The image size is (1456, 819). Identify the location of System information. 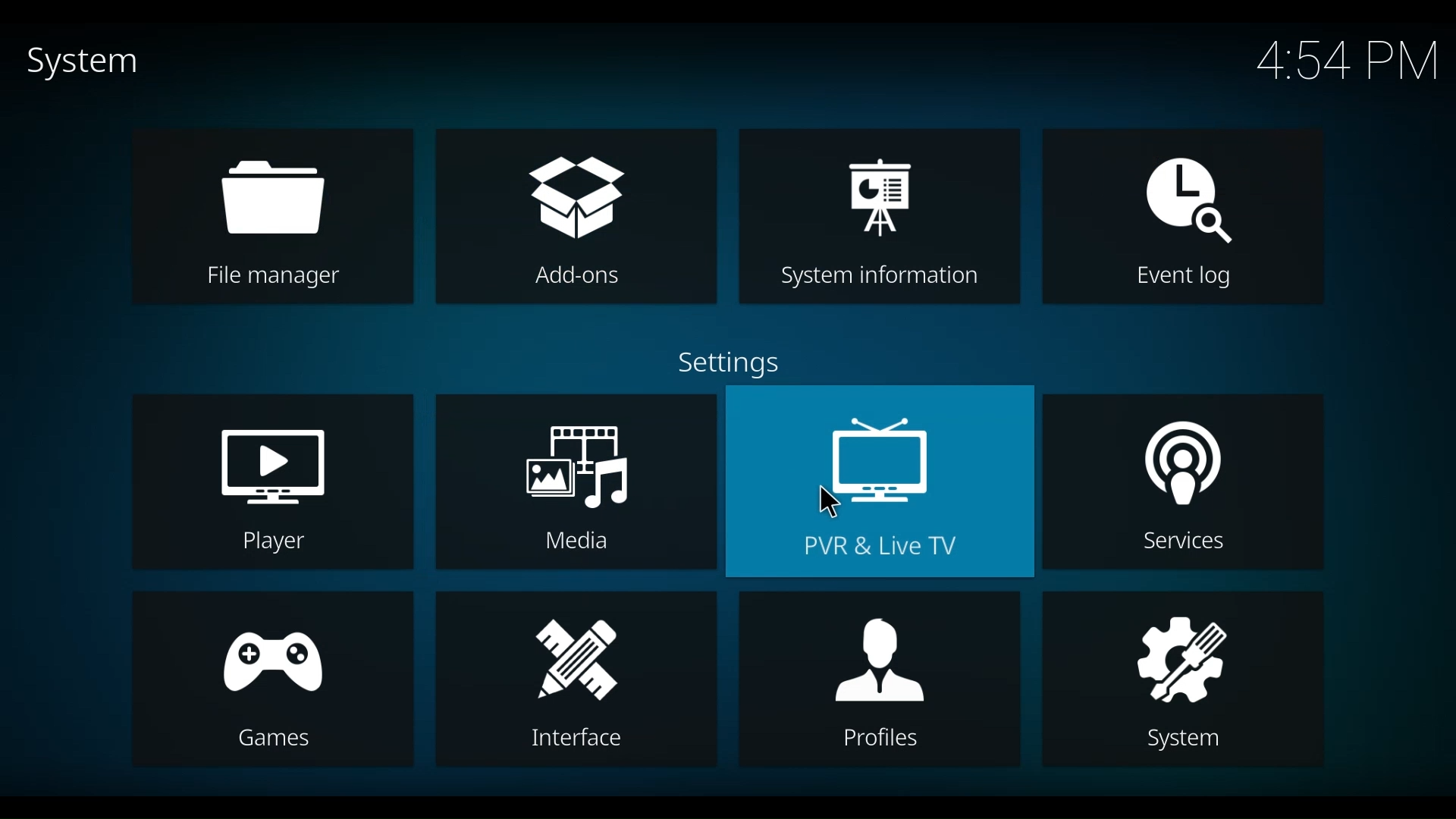
(881, 216).